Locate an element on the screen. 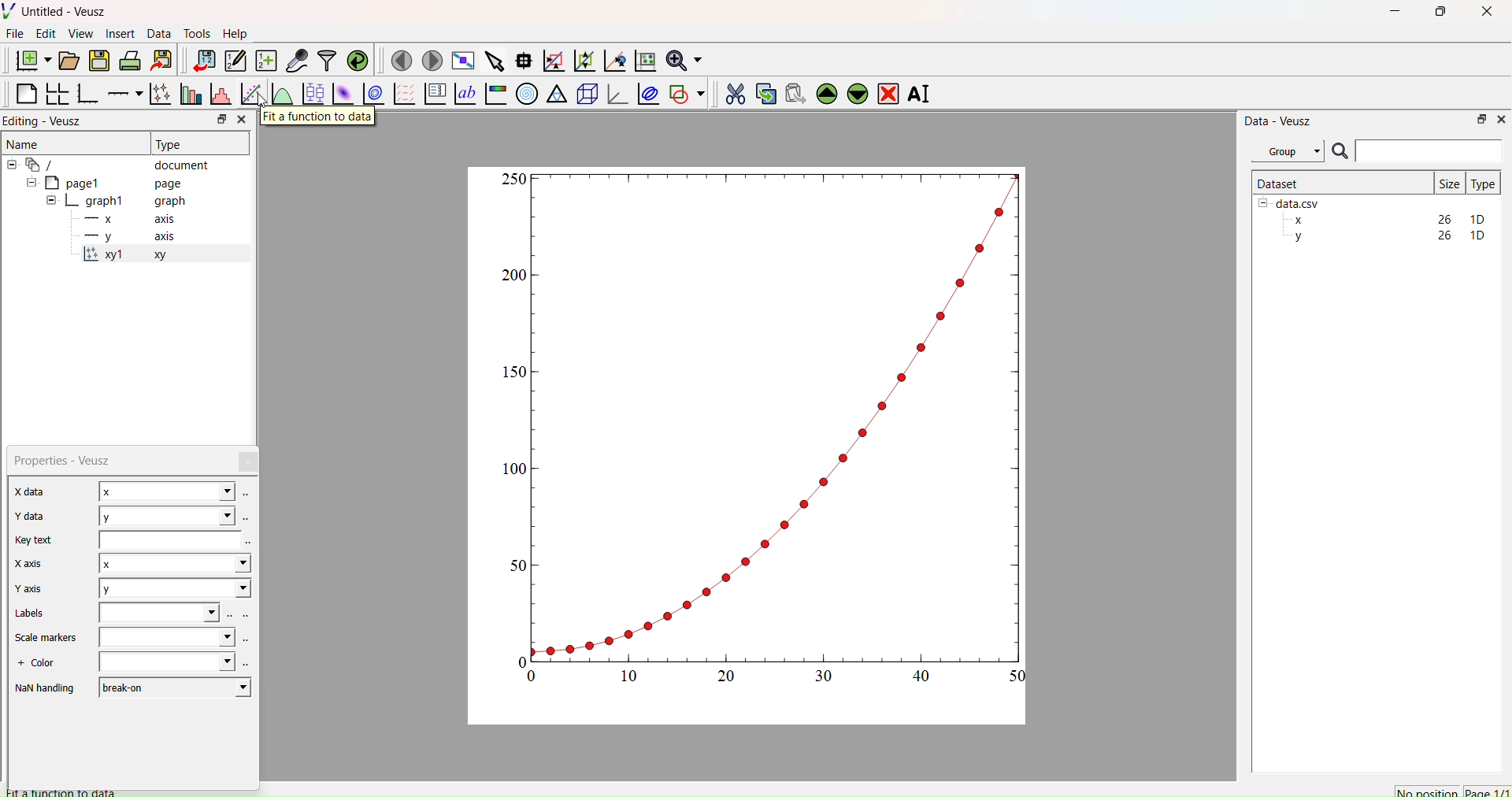 Image resolution: width=1512 pixels, height=797 pixels. Plot a 2d dataset as image is located at coordinates (342, 94).